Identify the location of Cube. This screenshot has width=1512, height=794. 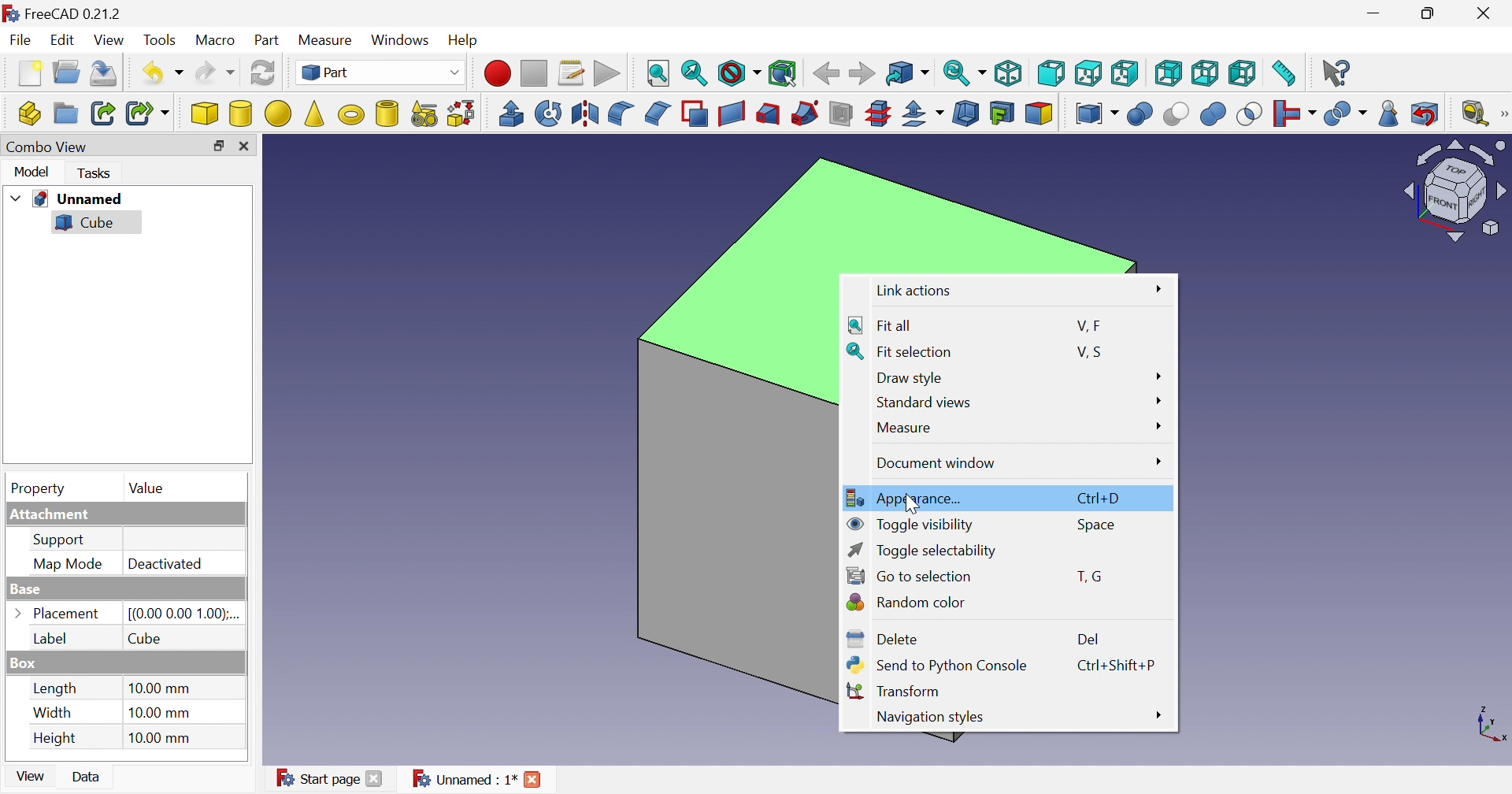
(86, 222).